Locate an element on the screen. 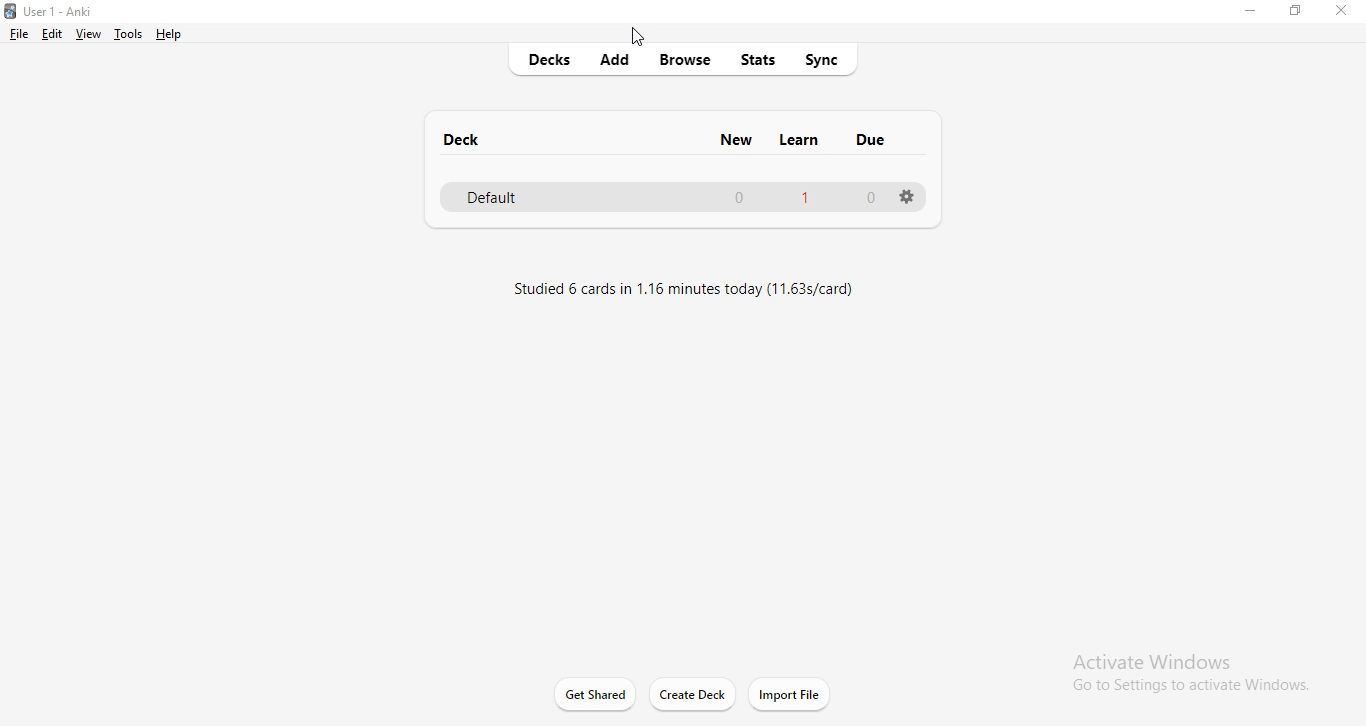 The height and width of the screenshot is (726, 1366). restore is located at coordinates (1292, 16).